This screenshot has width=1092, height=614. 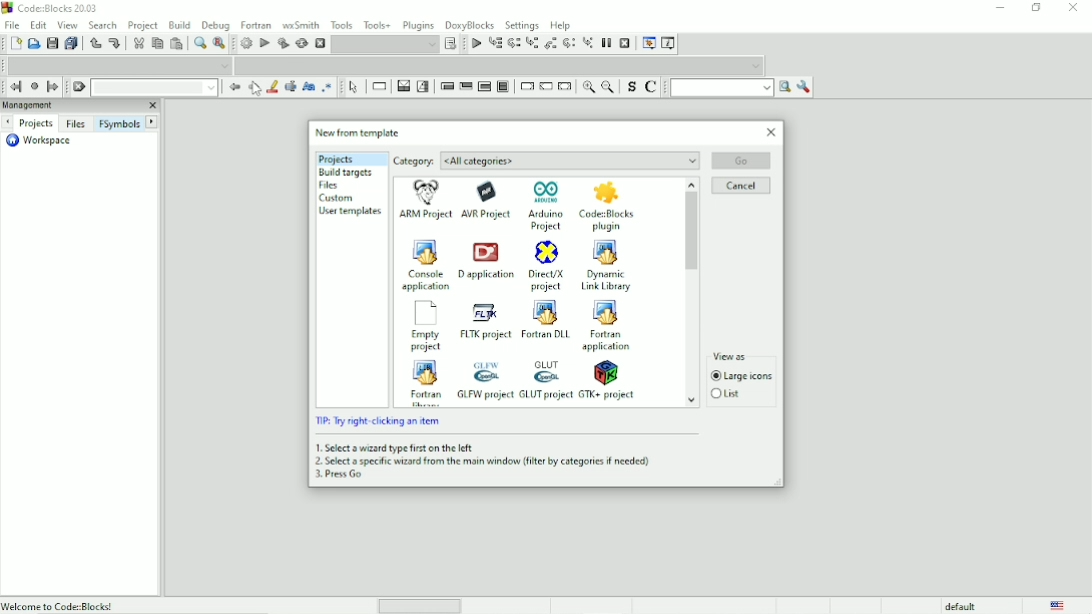 I want to click on Build, so click(x=246, y=42).